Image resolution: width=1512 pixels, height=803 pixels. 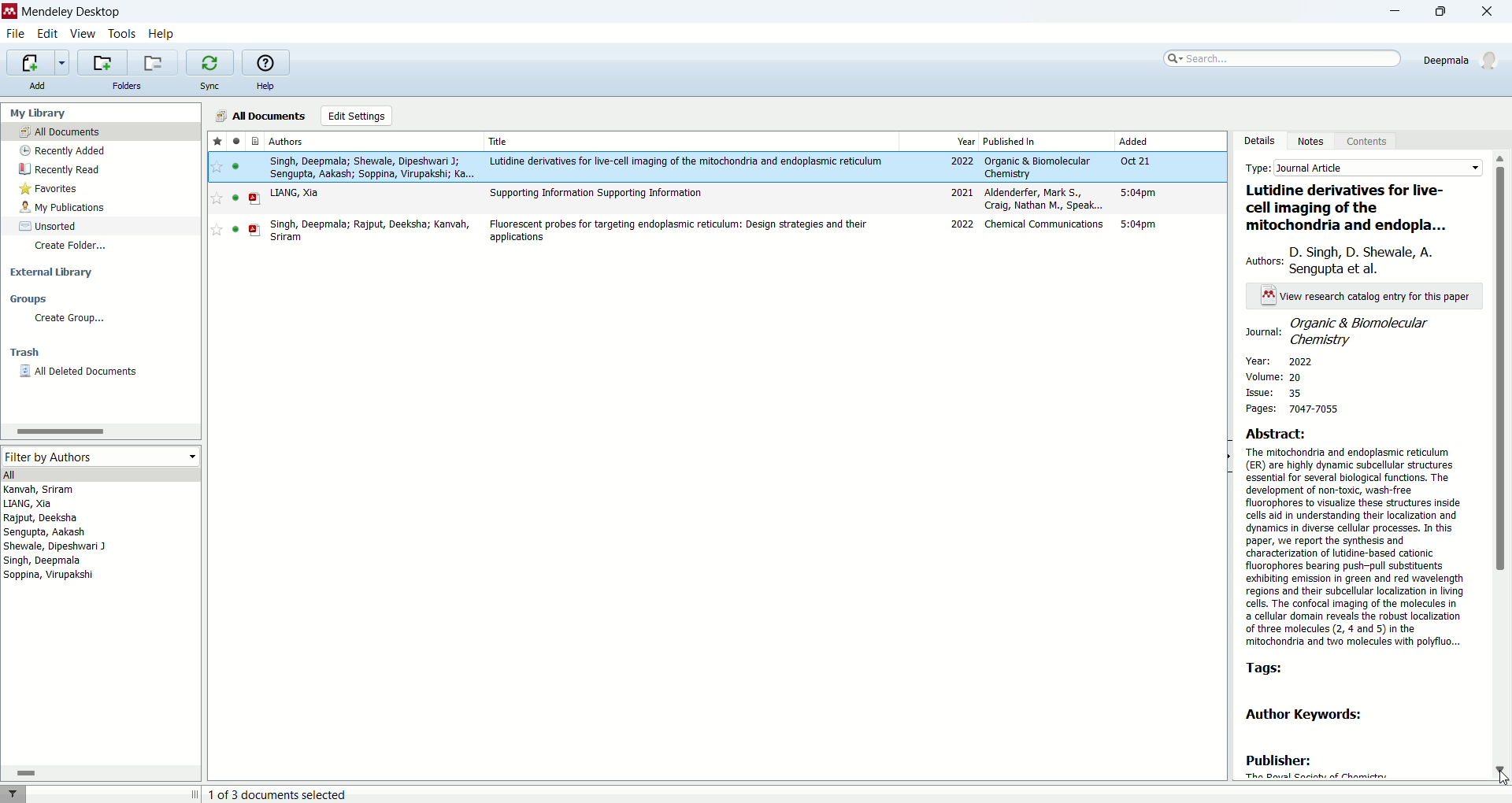 What do you see at coordinates (1277, 361) in the screenshot?
I see `year: 2022` at bounding box center [1277, 361].